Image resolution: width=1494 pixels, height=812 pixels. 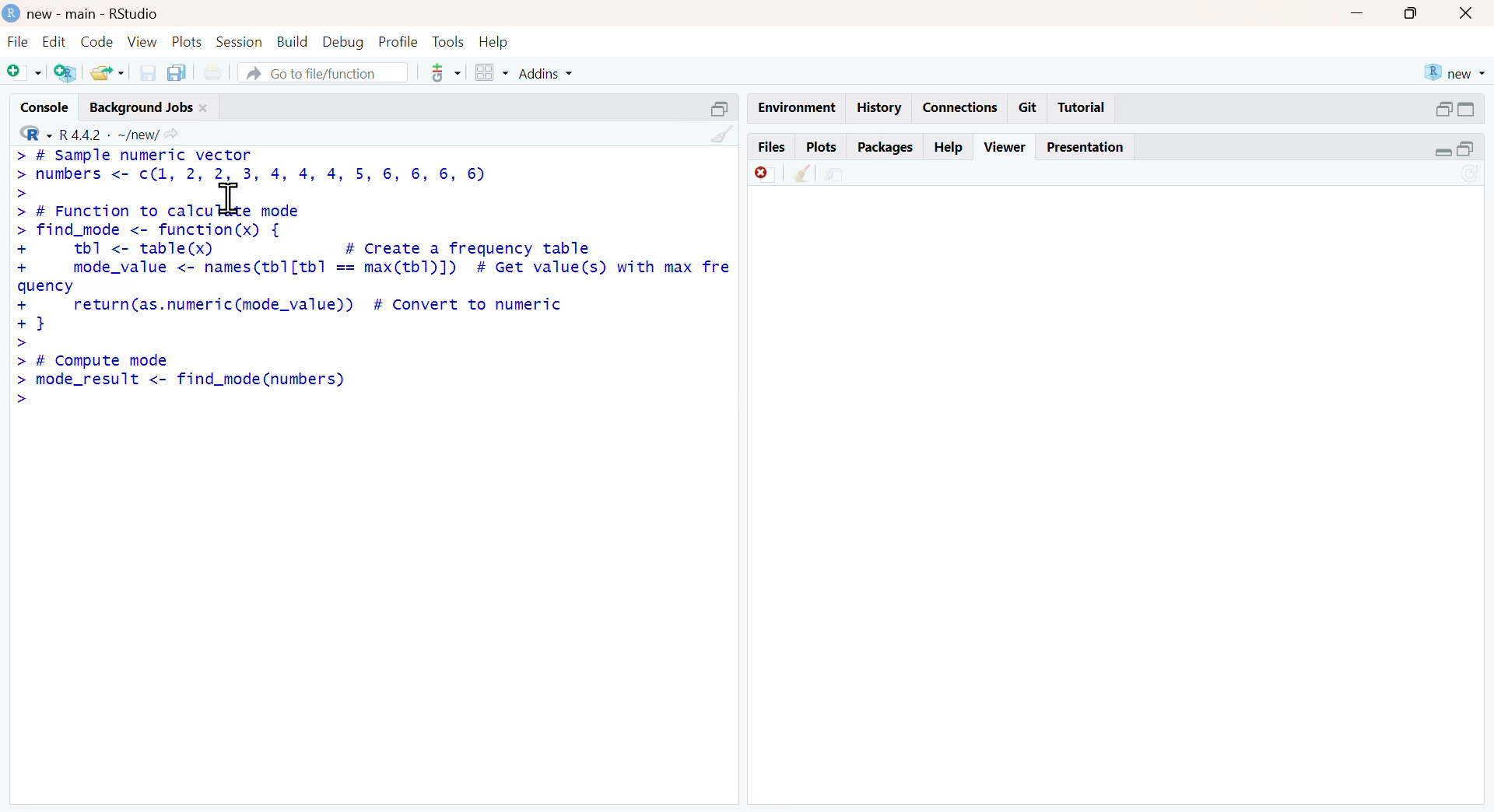 I want to click on add file as, so click(x=26, y=73).